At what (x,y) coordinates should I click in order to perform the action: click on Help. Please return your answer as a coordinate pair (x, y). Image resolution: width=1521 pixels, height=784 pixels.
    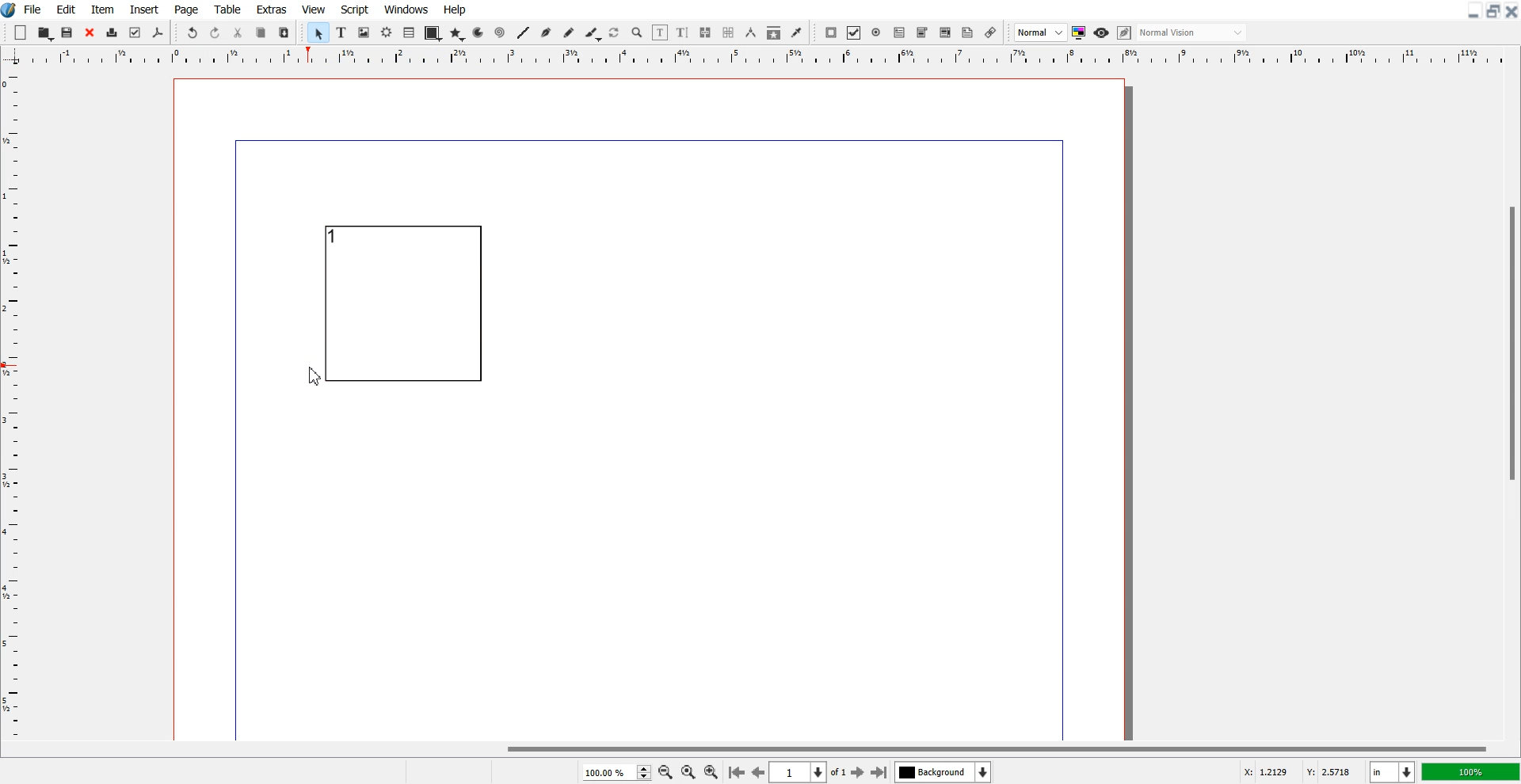
    Looking at the image, I should click on (454, 10).